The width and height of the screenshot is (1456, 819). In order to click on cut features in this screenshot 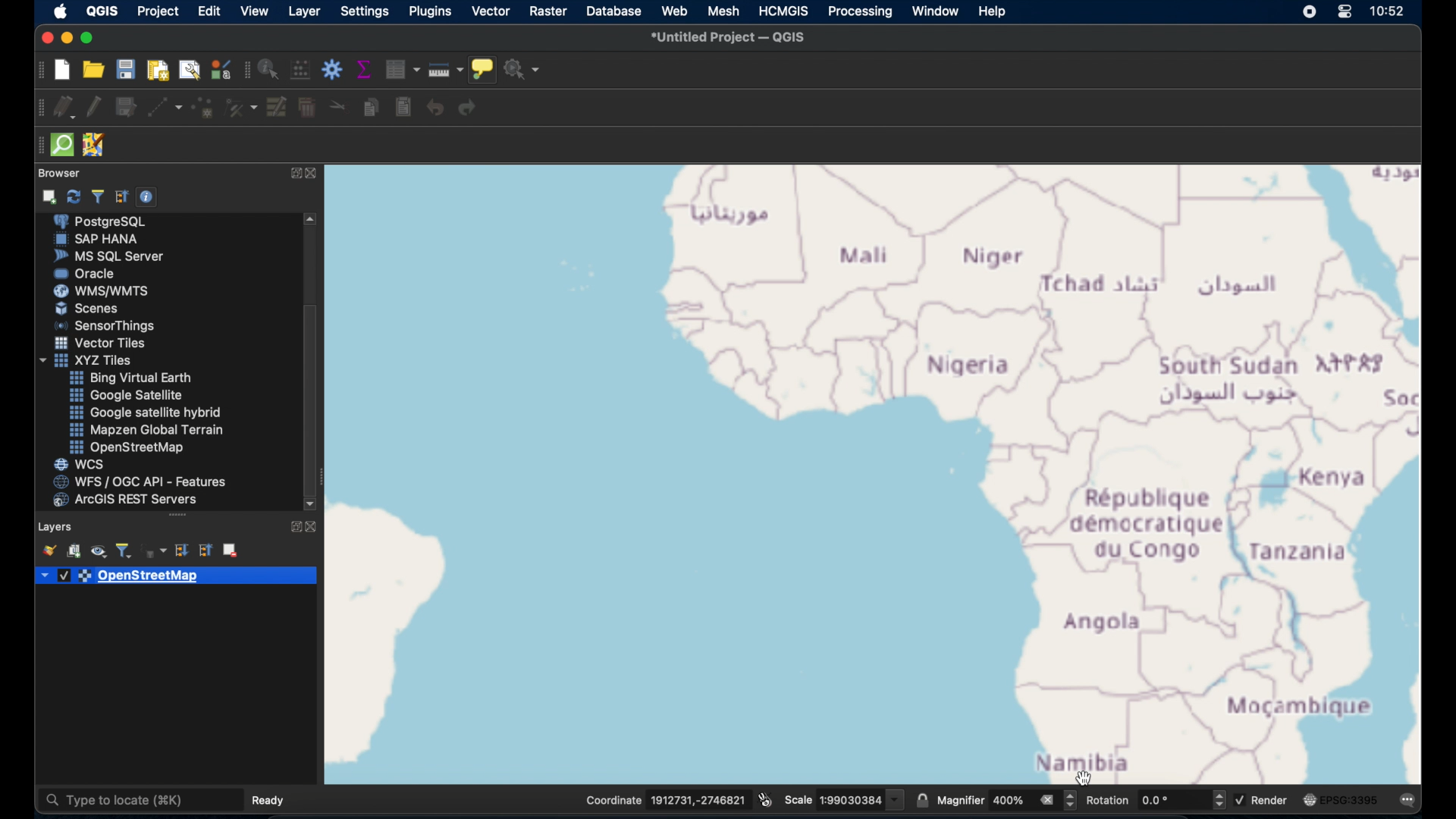, I will do `click(335, 106)`.